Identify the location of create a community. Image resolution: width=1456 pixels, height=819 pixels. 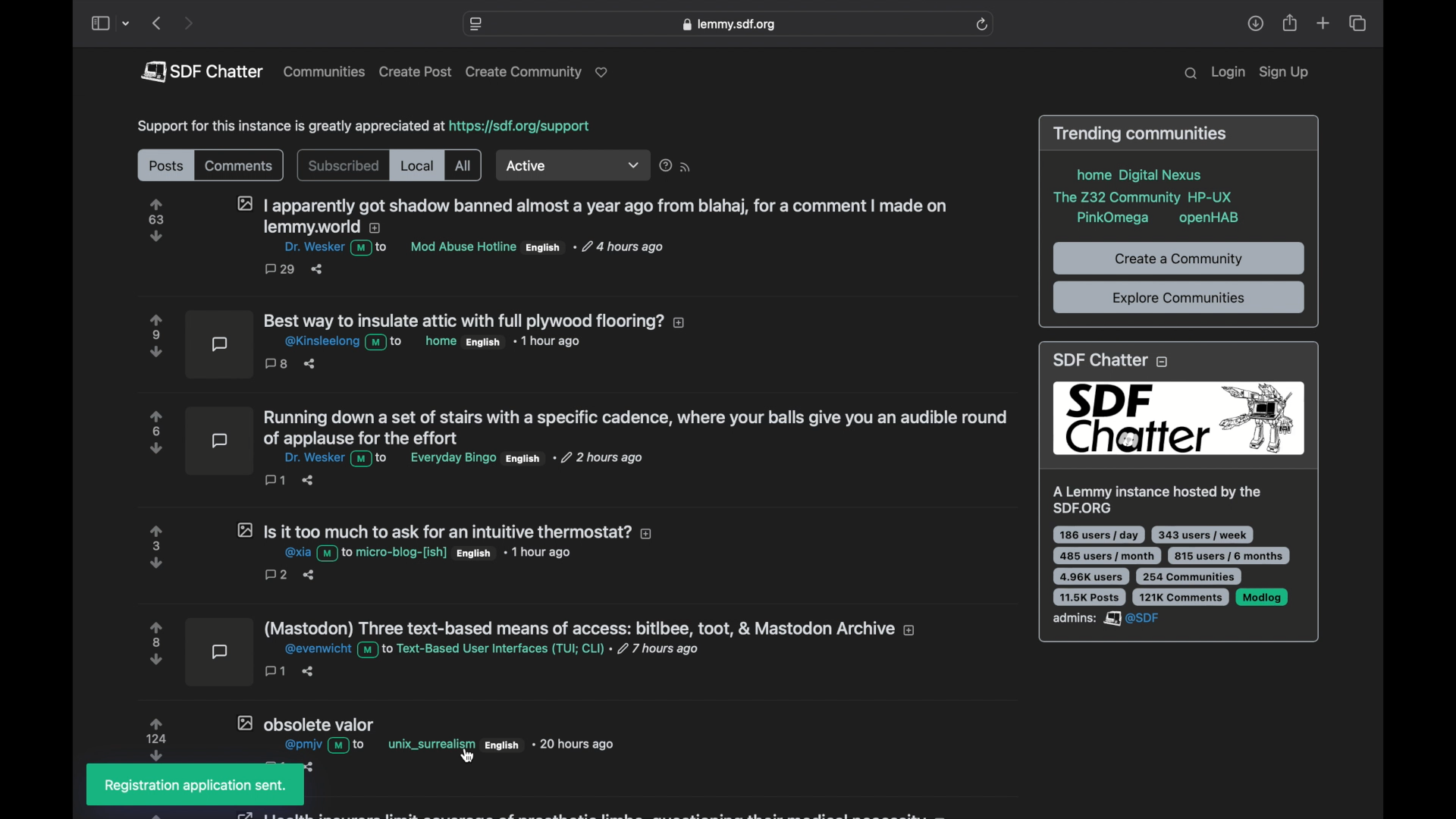
(1178, 260).